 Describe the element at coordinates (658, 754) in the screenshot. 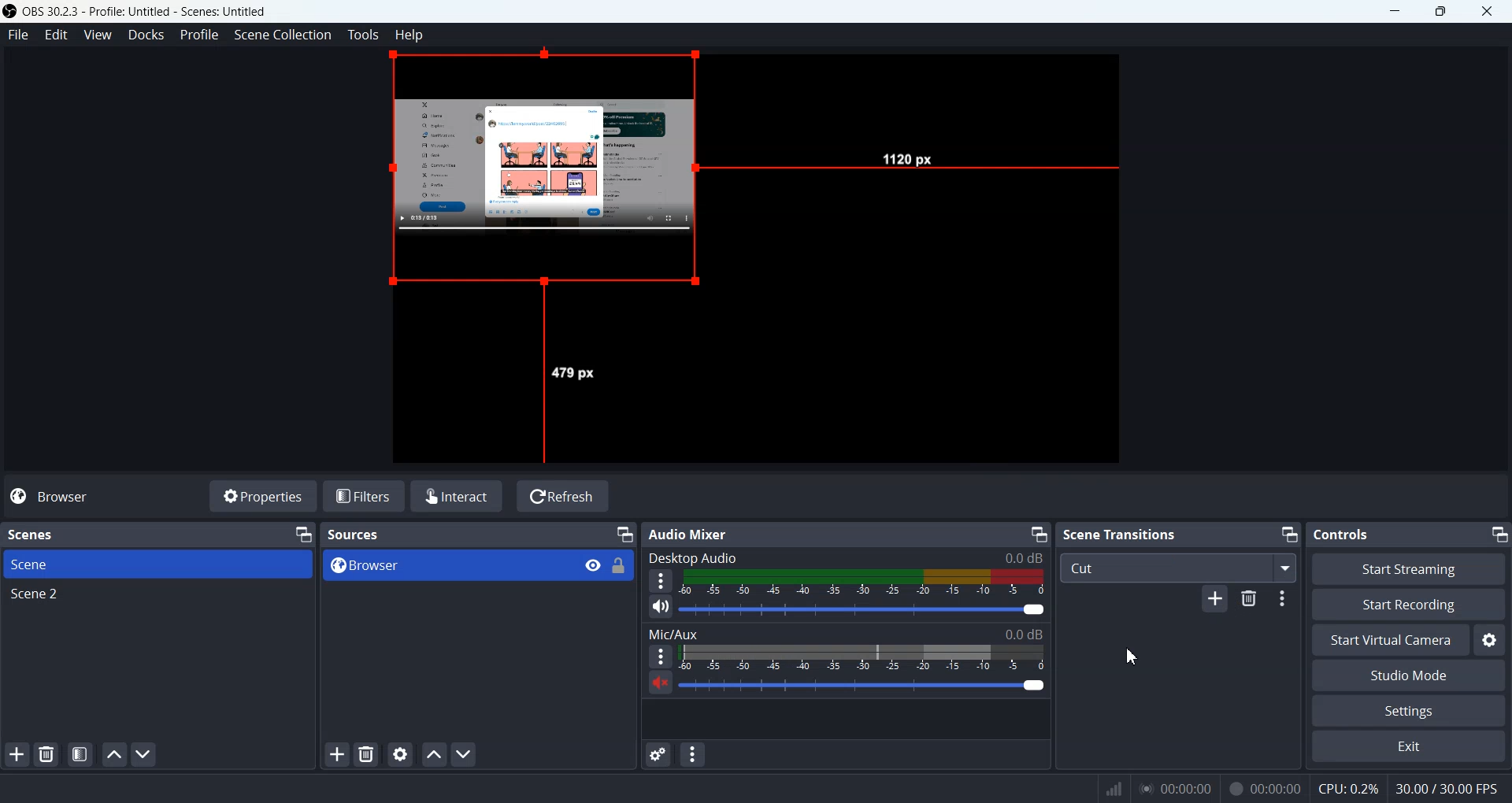

I see `Advance audio Properties` at that location.